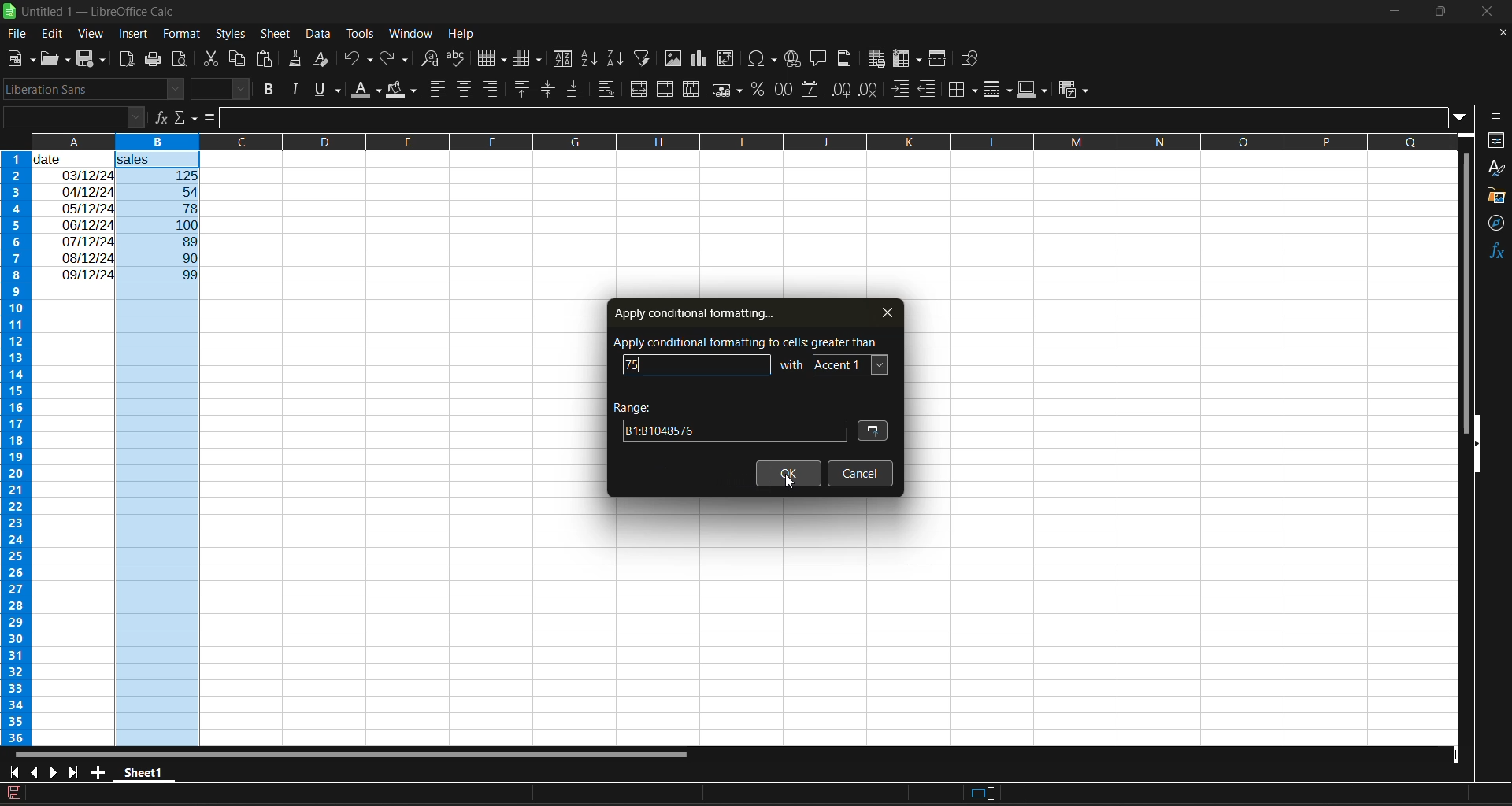 The height and width of the screenshot is (806, 1512). What do you see at coordinates (298, 89) in the screenshot?
I see `italic` at bounding box center [298, 89].